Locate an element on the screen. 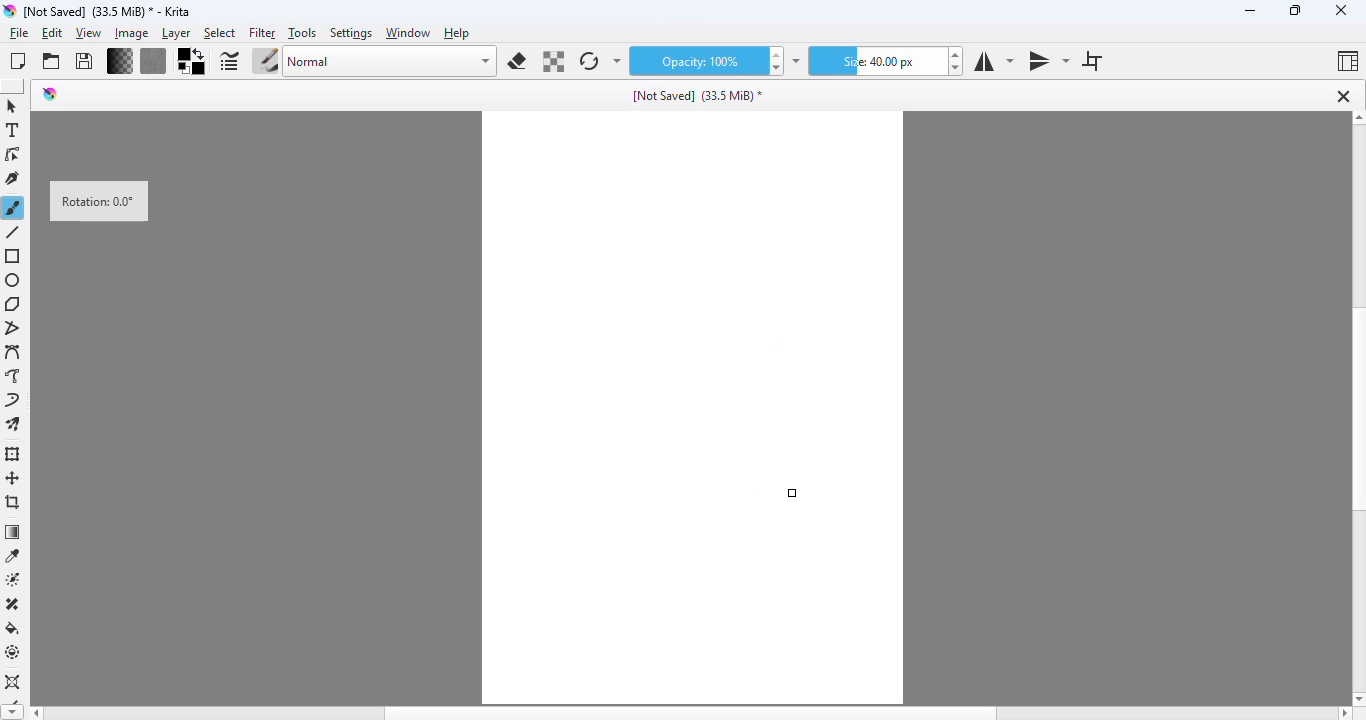  settings is located at coordinates (352, 33).